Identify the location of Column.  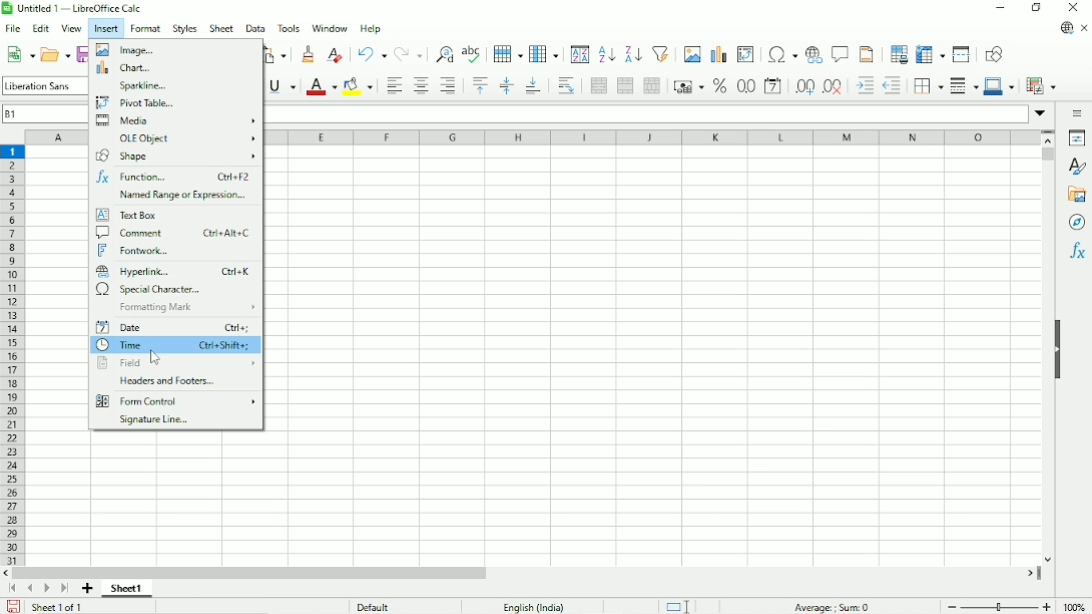
(544, 52).